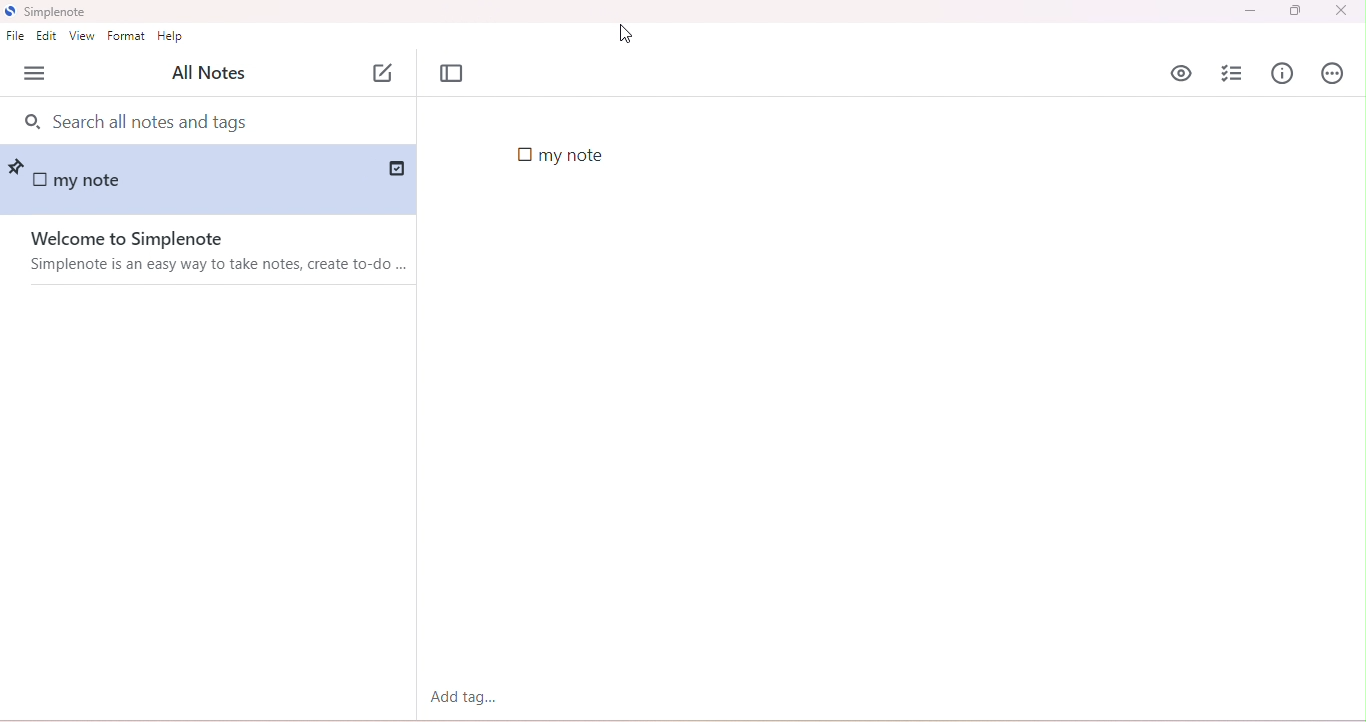 This screenshot has width=1366, height=722. What do you see at coordinates (213, 72) in the screenshot?
I see `all notes` at bounding box center [213, 72].